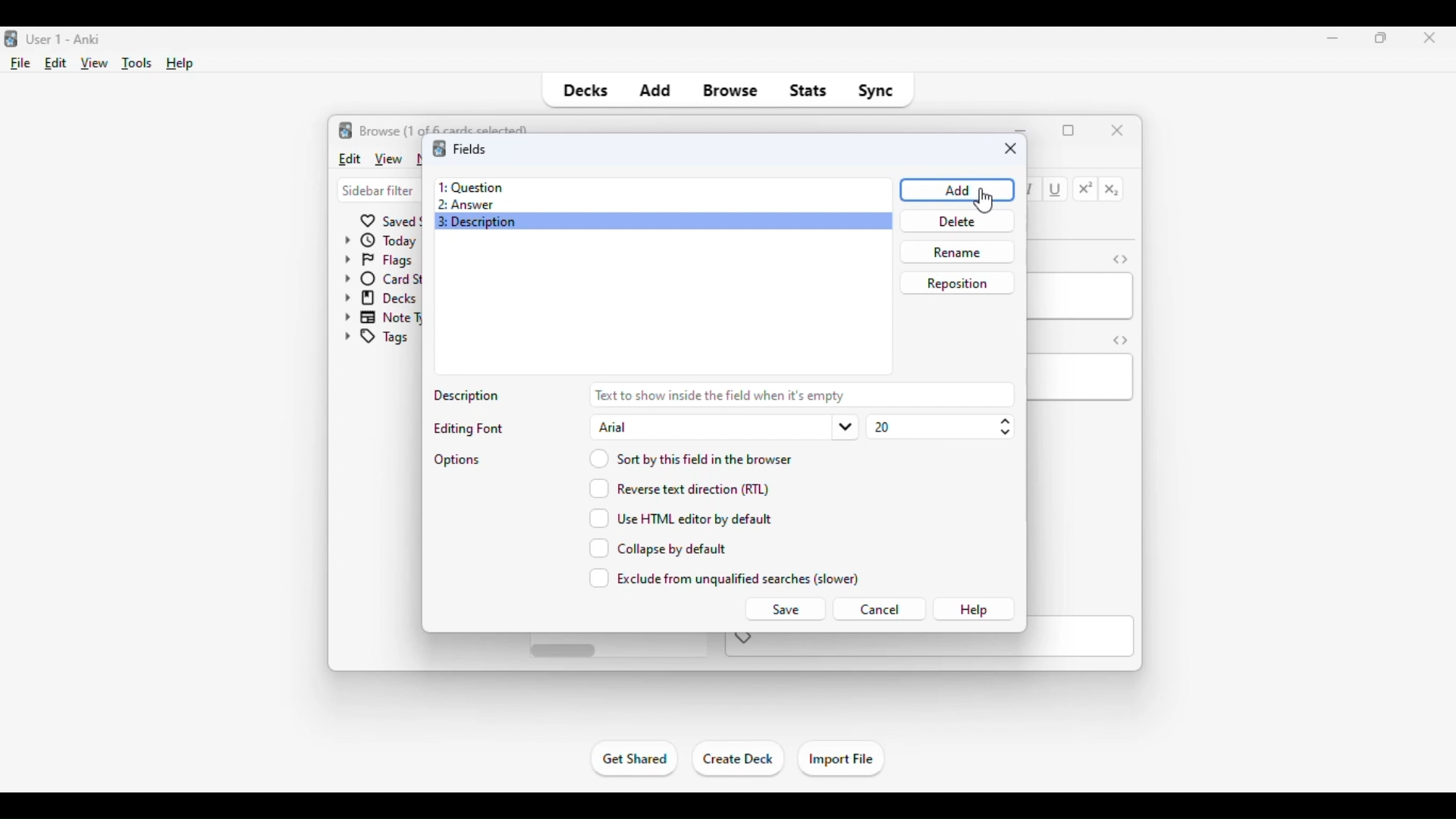 The height and width of the screenshot is (819, 1456). I want to click on browse, so click(731, 91).